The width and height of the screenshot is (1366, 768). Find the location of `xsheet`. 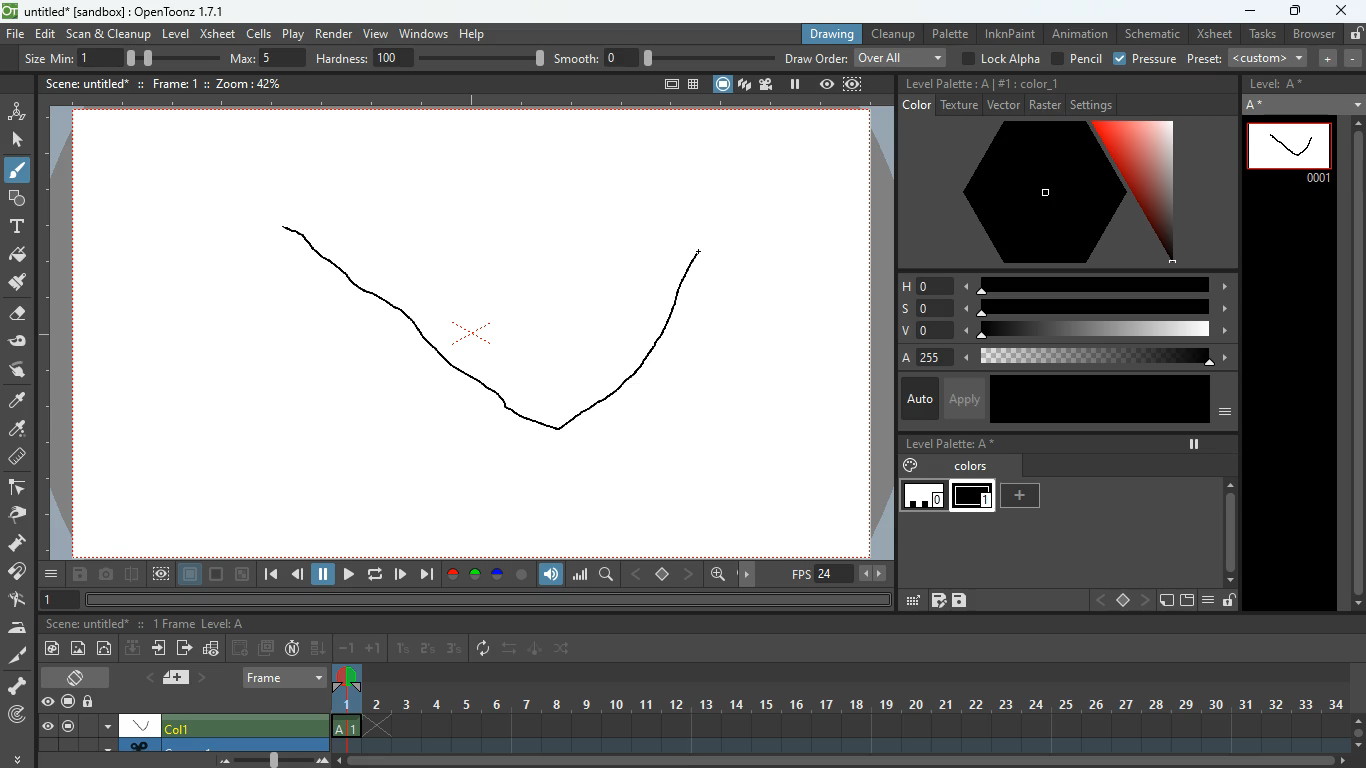

xsheet is located at coordinates (1213, 34).